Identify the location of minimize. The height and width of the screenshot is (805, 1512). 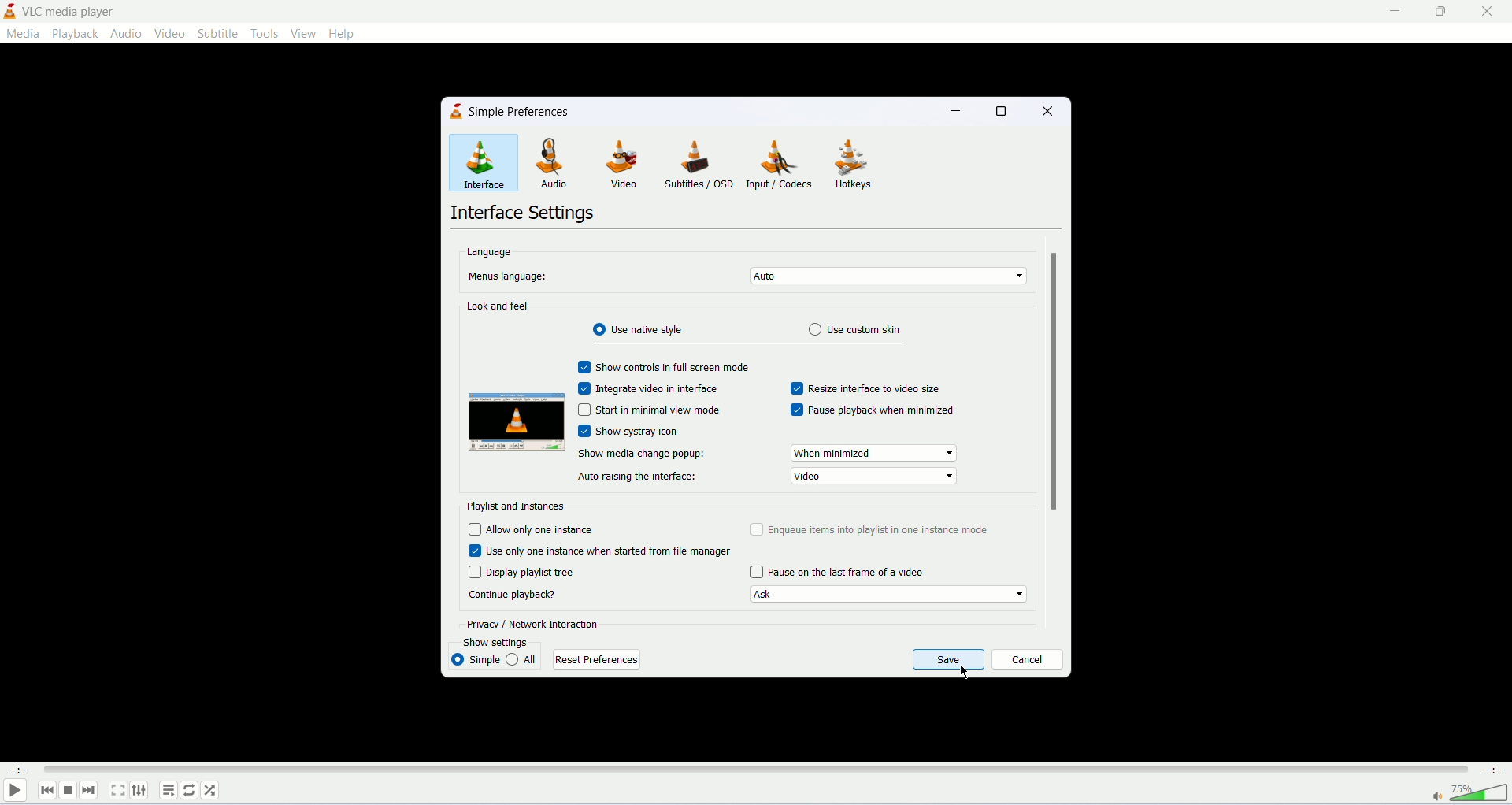
(1391, 14).